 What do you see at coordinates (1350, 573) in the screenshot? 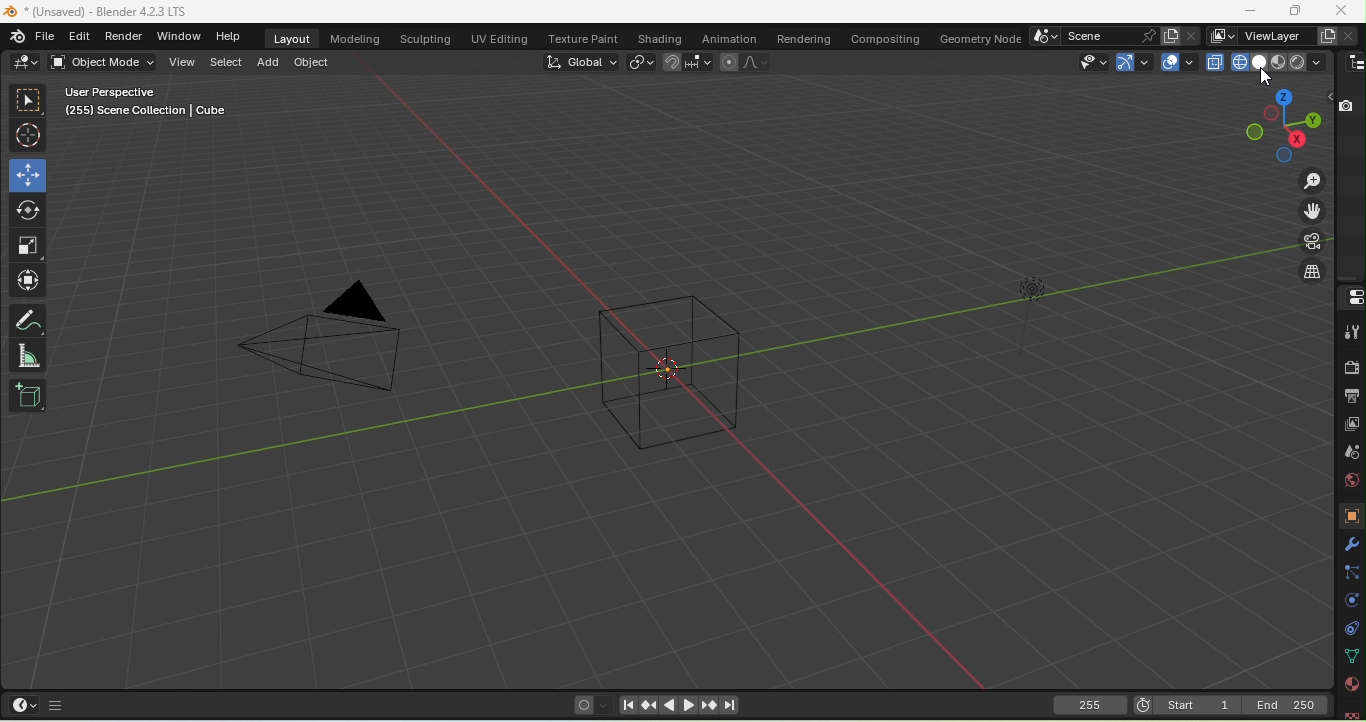
I see `Particles` at bounding box center [1350, 573].